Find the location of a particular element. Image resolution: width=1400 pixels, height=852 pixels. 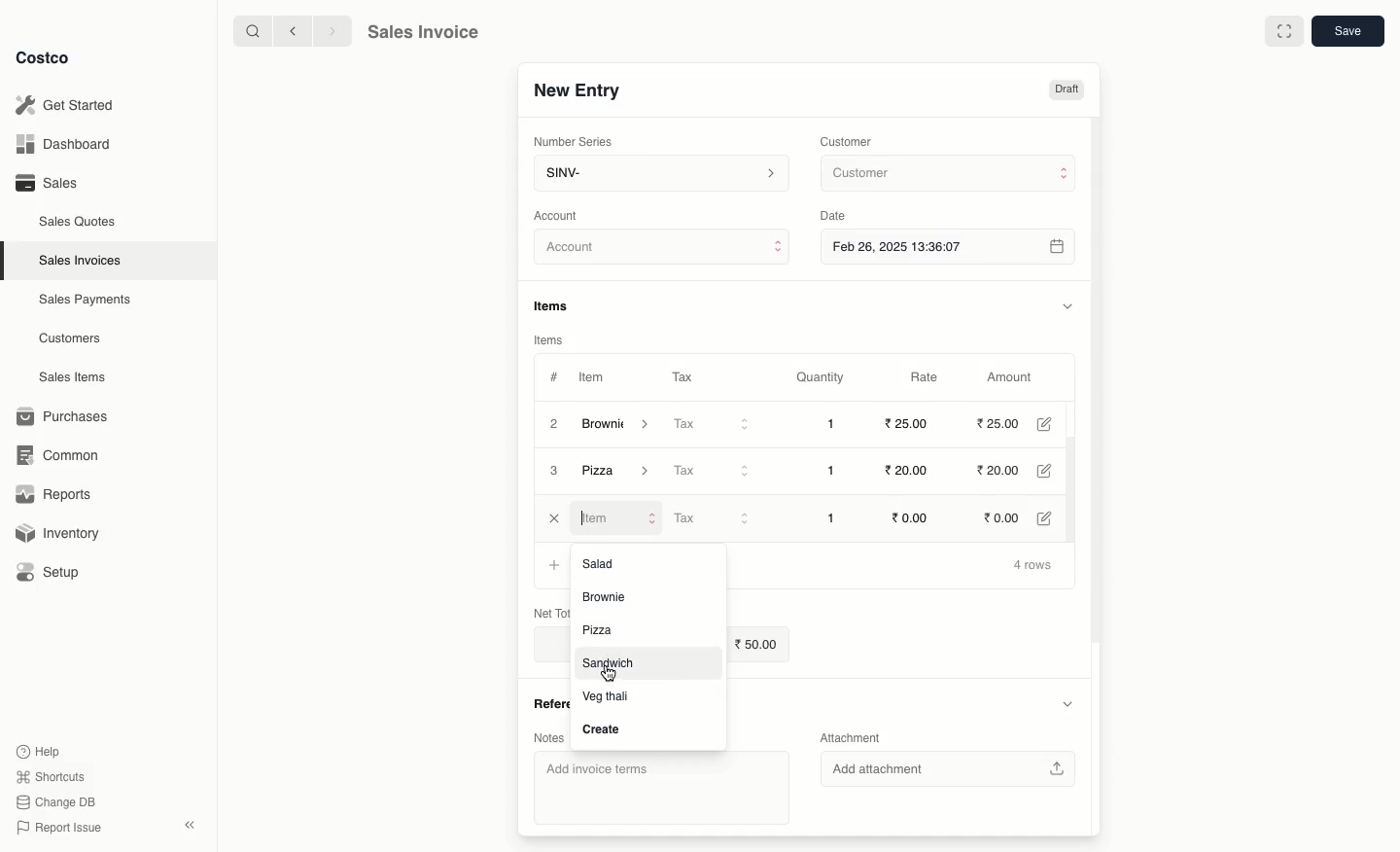

Sales is located at coordinates (46, 183).